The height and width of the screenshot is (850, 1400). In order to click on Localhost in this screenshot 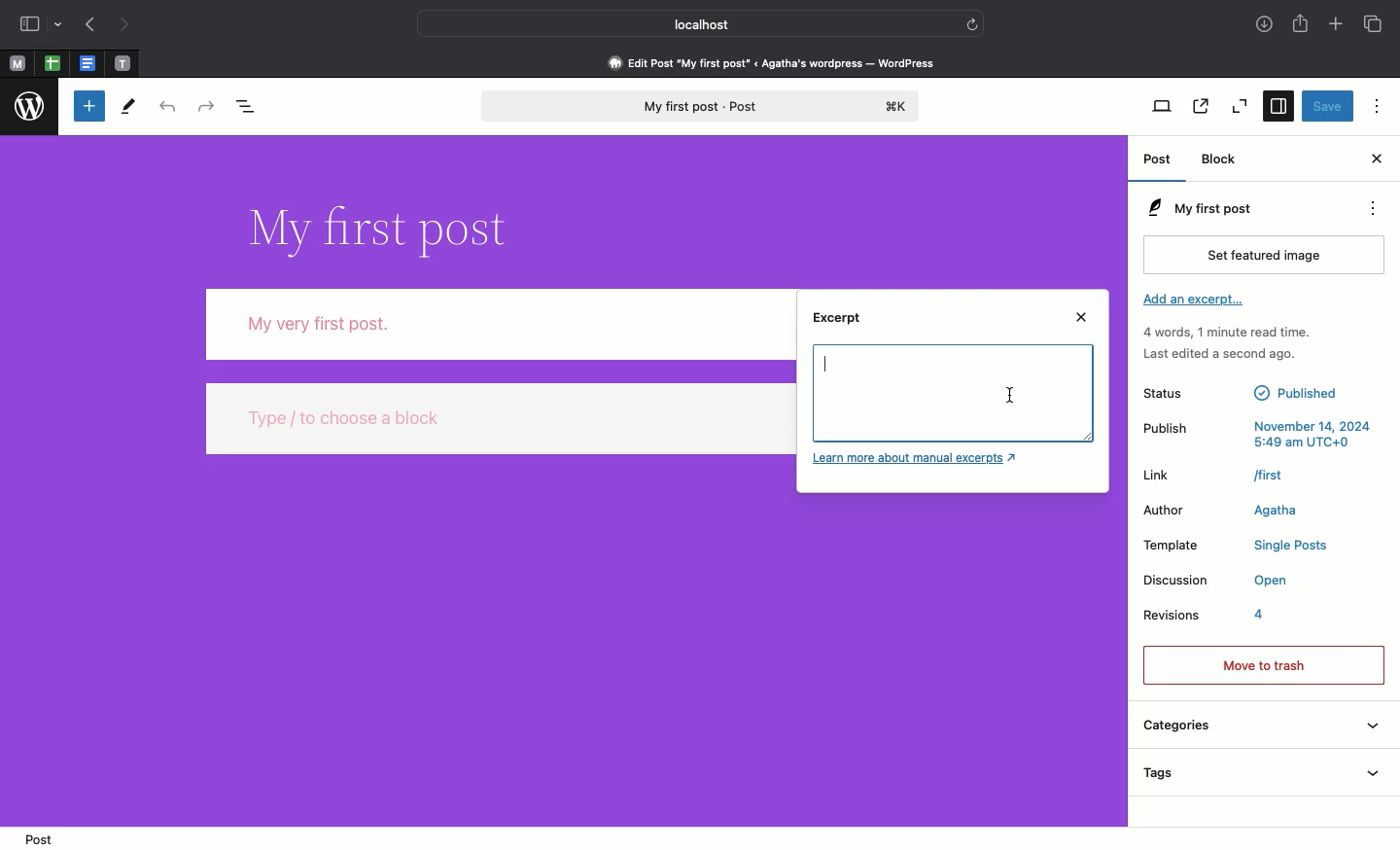, I will do `click(687, 24)`.